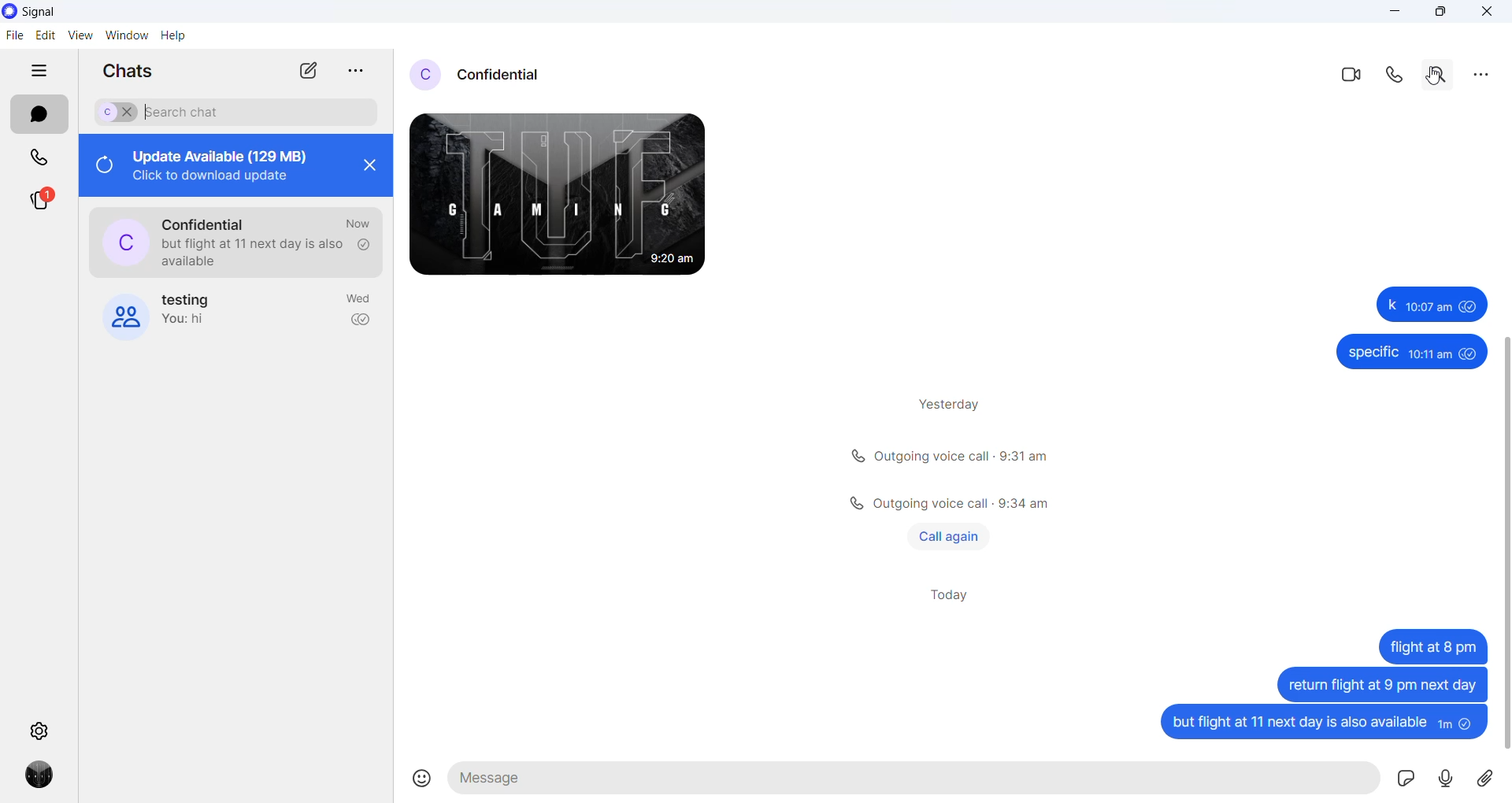  I want to click on voicemail, so click(1448, 779).